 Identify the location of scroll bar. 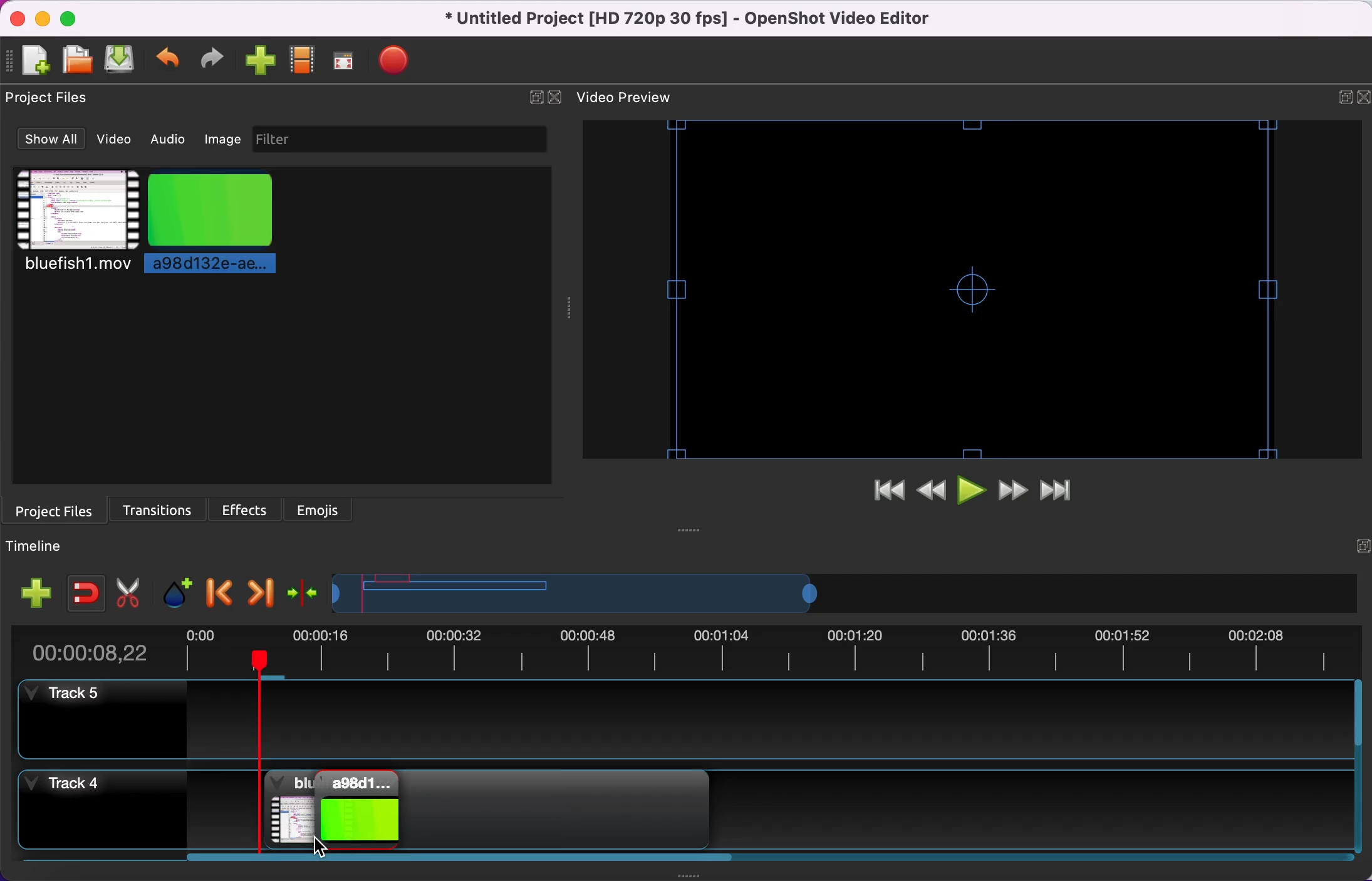
(465, 861).